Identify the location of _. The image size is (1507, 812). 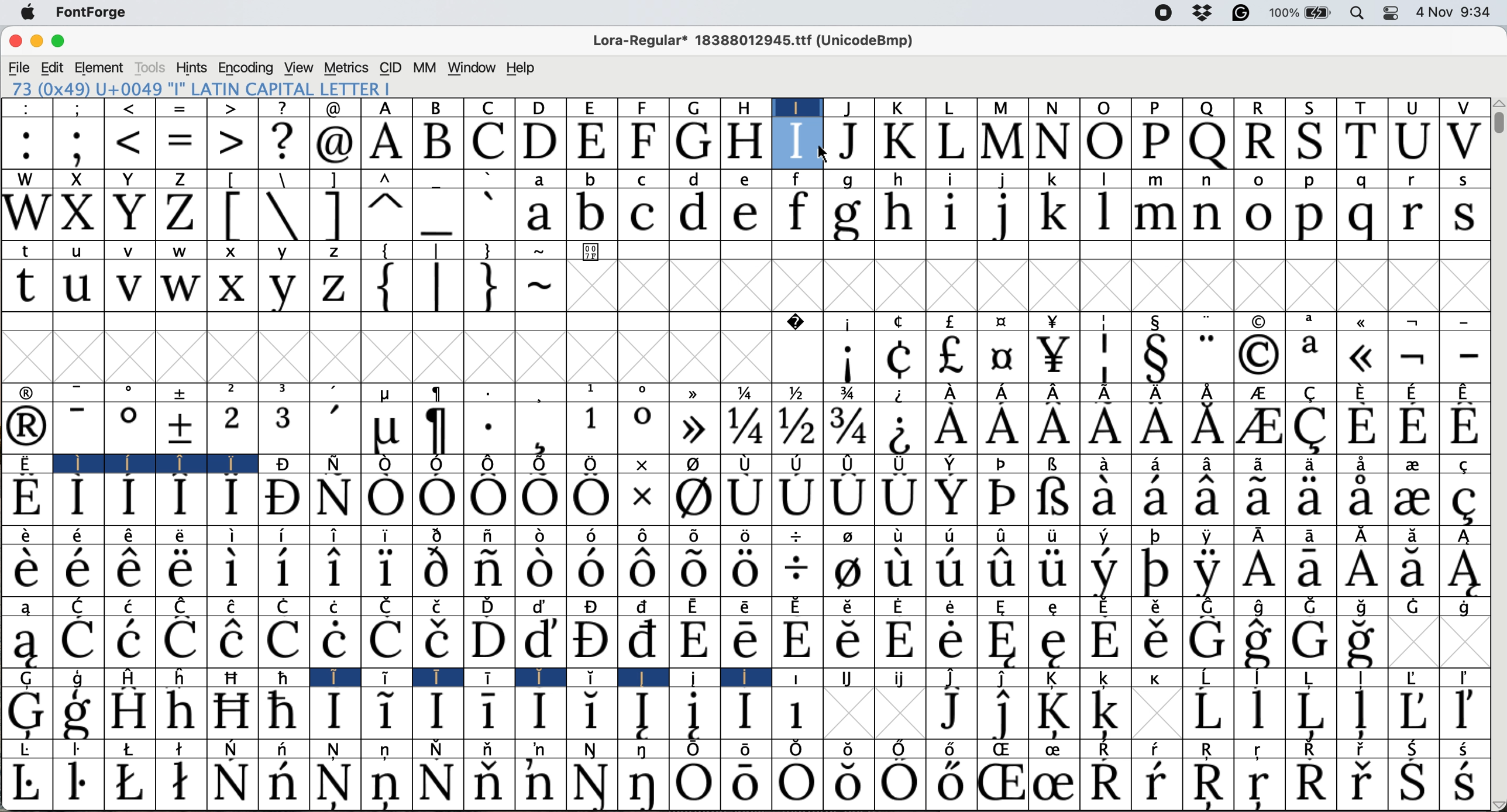
(438, 181).